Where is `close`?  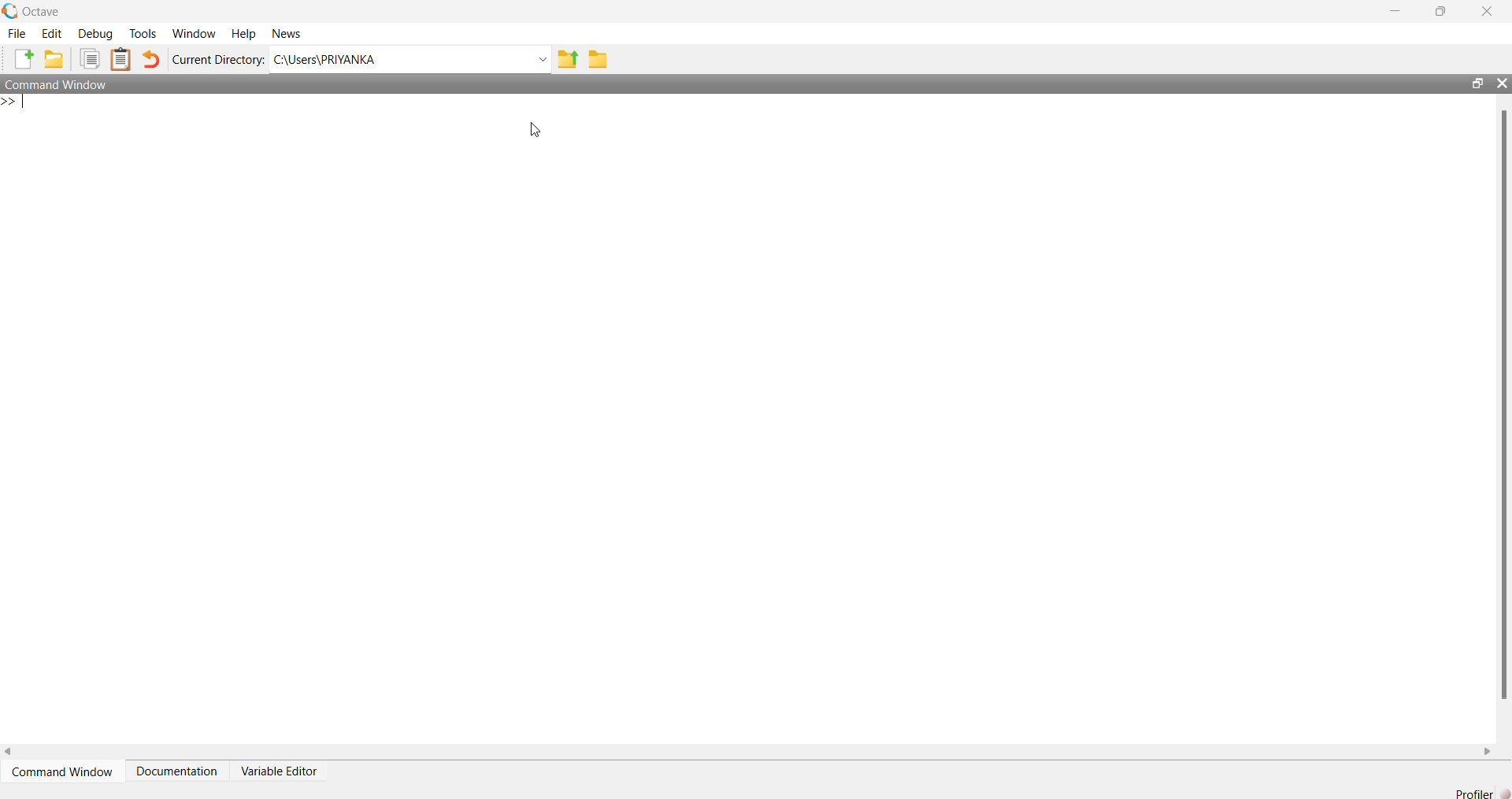 close is located at coordinates (1501, 82).